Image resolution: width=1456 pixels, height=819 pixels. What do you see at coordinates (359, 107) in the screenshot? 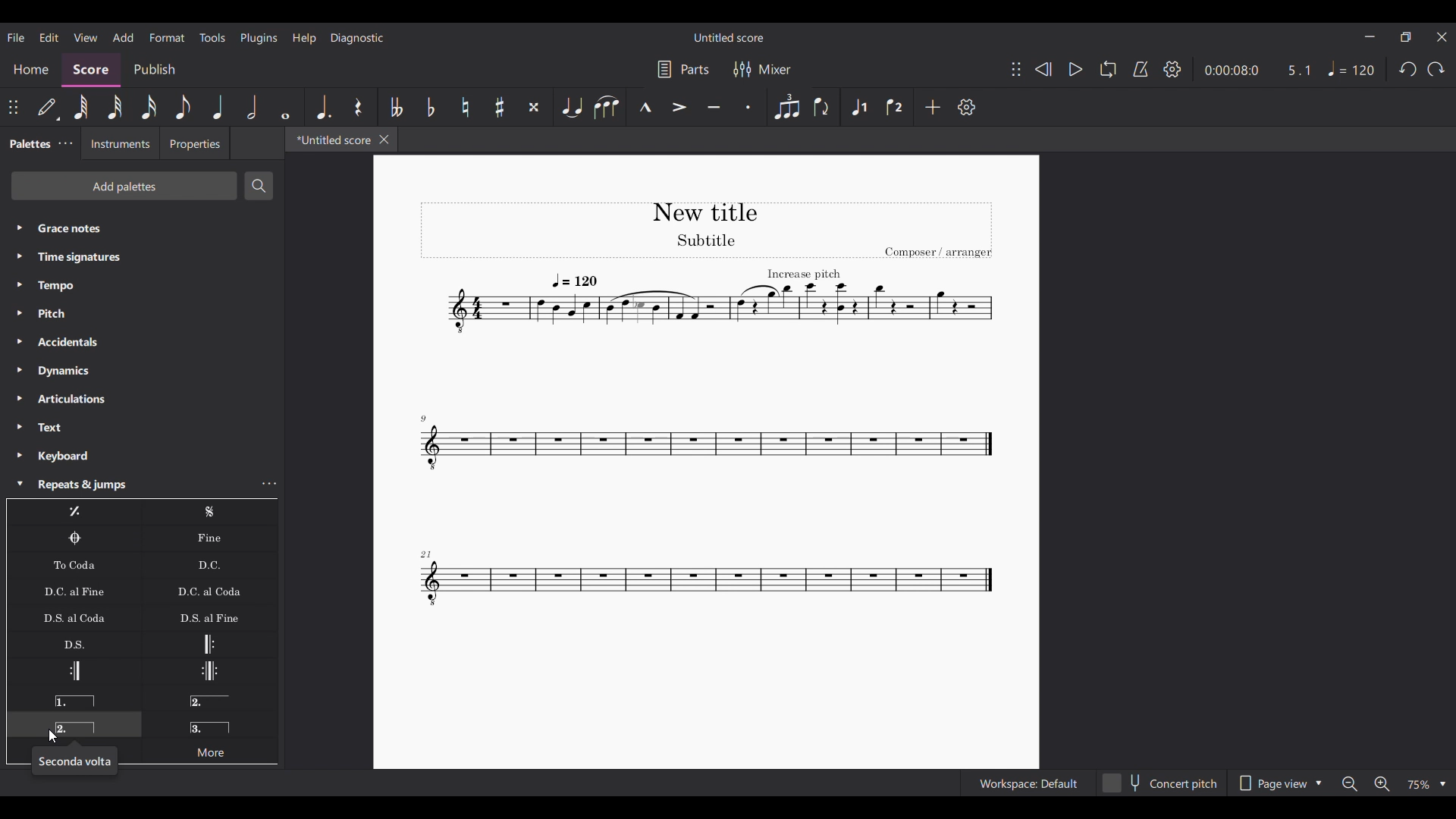
I see `Rest` at bounding box center [359, 107].